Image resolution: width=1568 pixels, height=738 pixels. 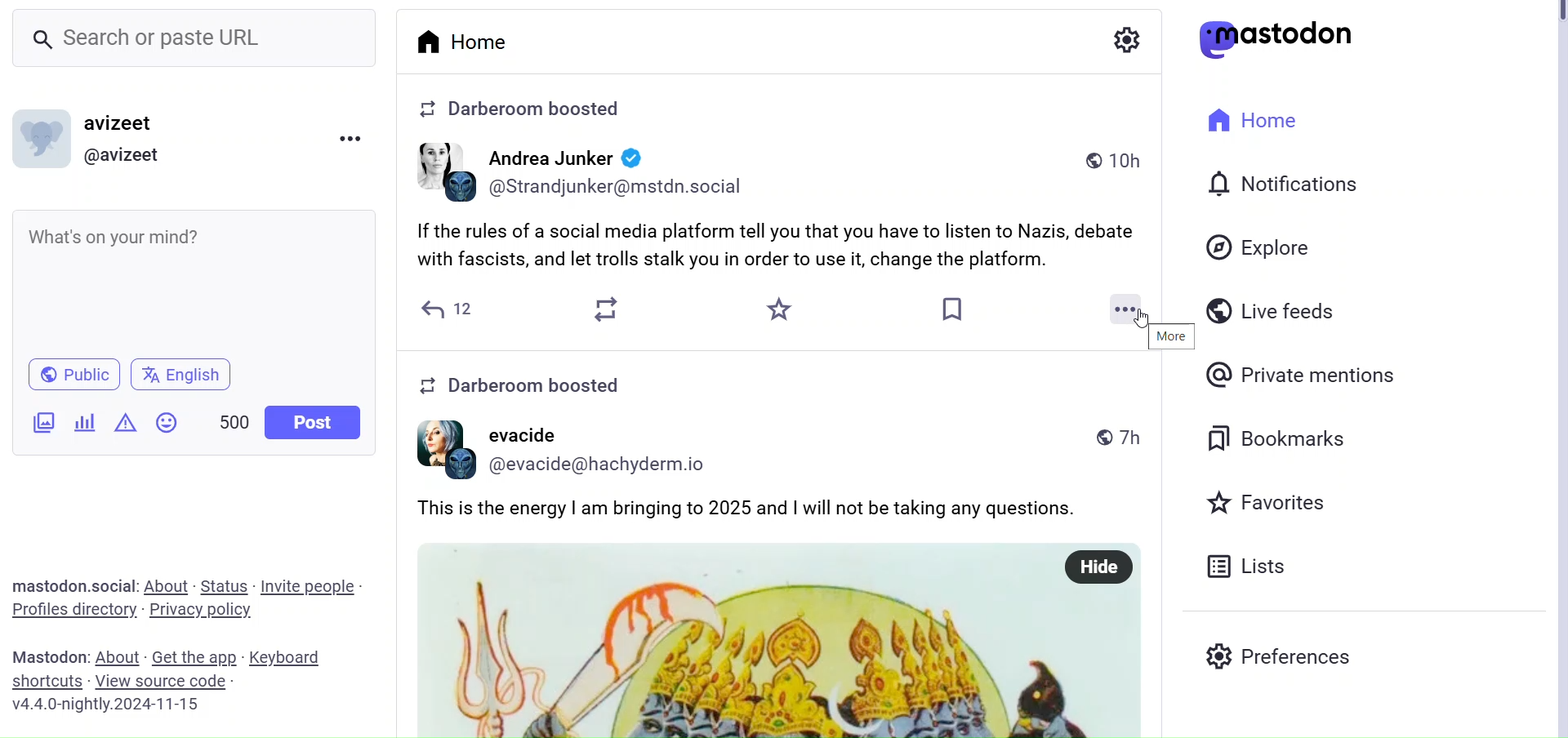 I want to click on Keyboard, so click(x=289, y=658).